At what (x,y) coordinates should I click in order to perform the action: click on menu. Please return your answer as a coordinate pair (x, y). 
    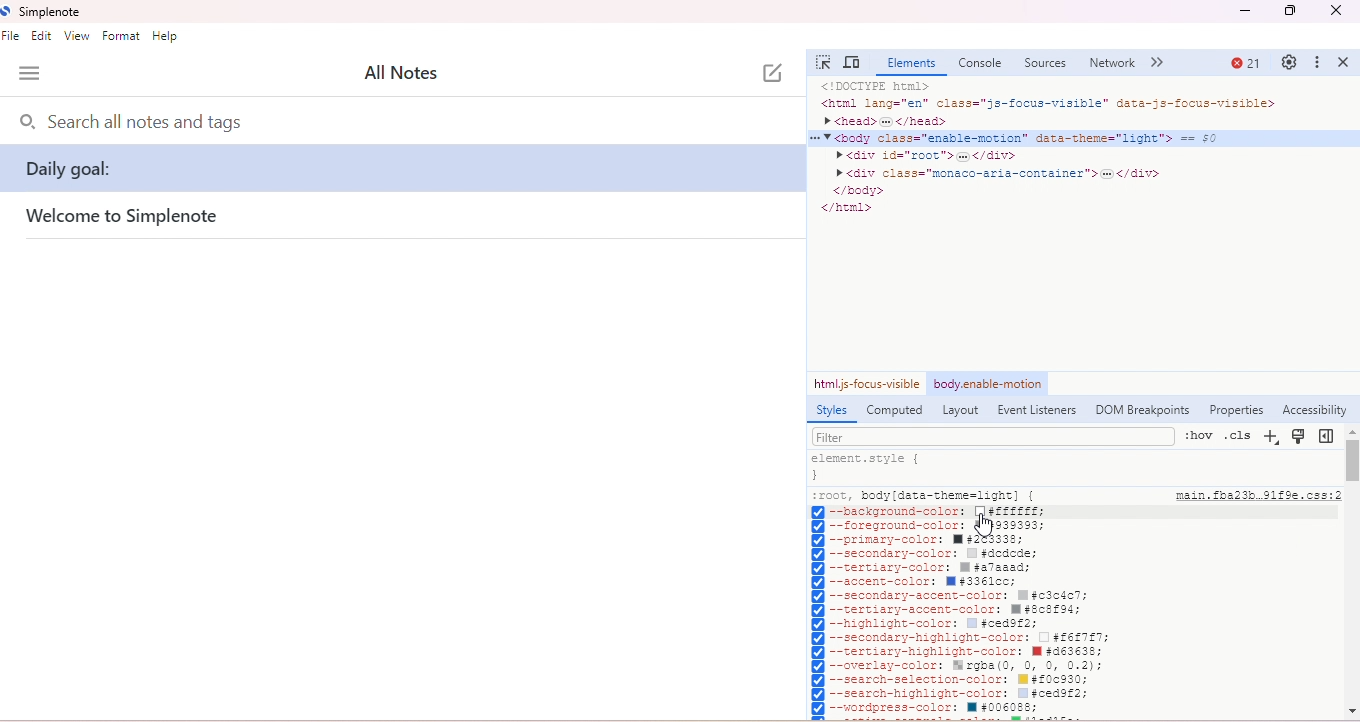
    Looking at the image, I should click on (30, 74).